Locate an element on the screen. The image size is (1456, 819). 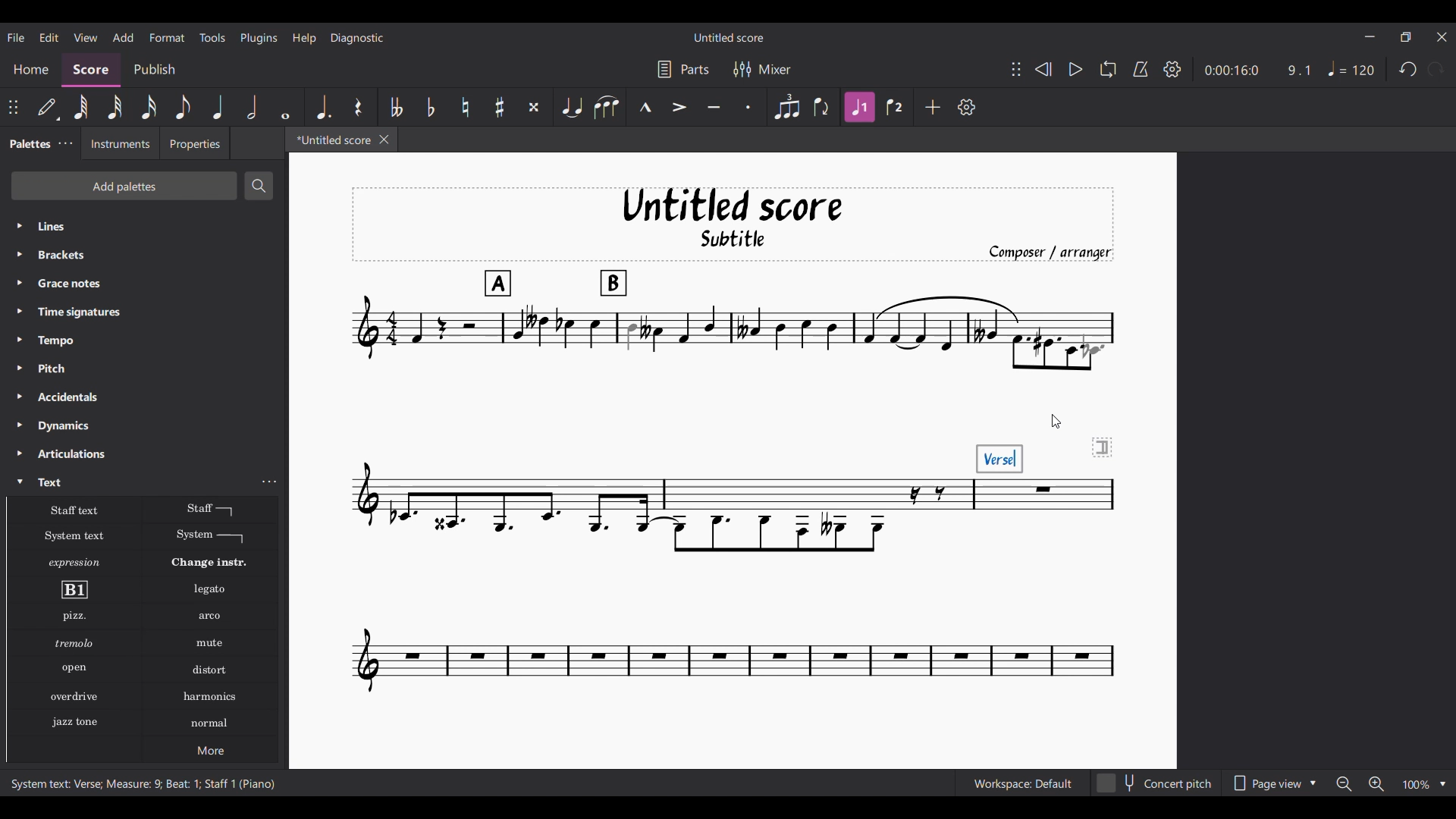
Rehearsal mark is located at coordinates (74, 589).